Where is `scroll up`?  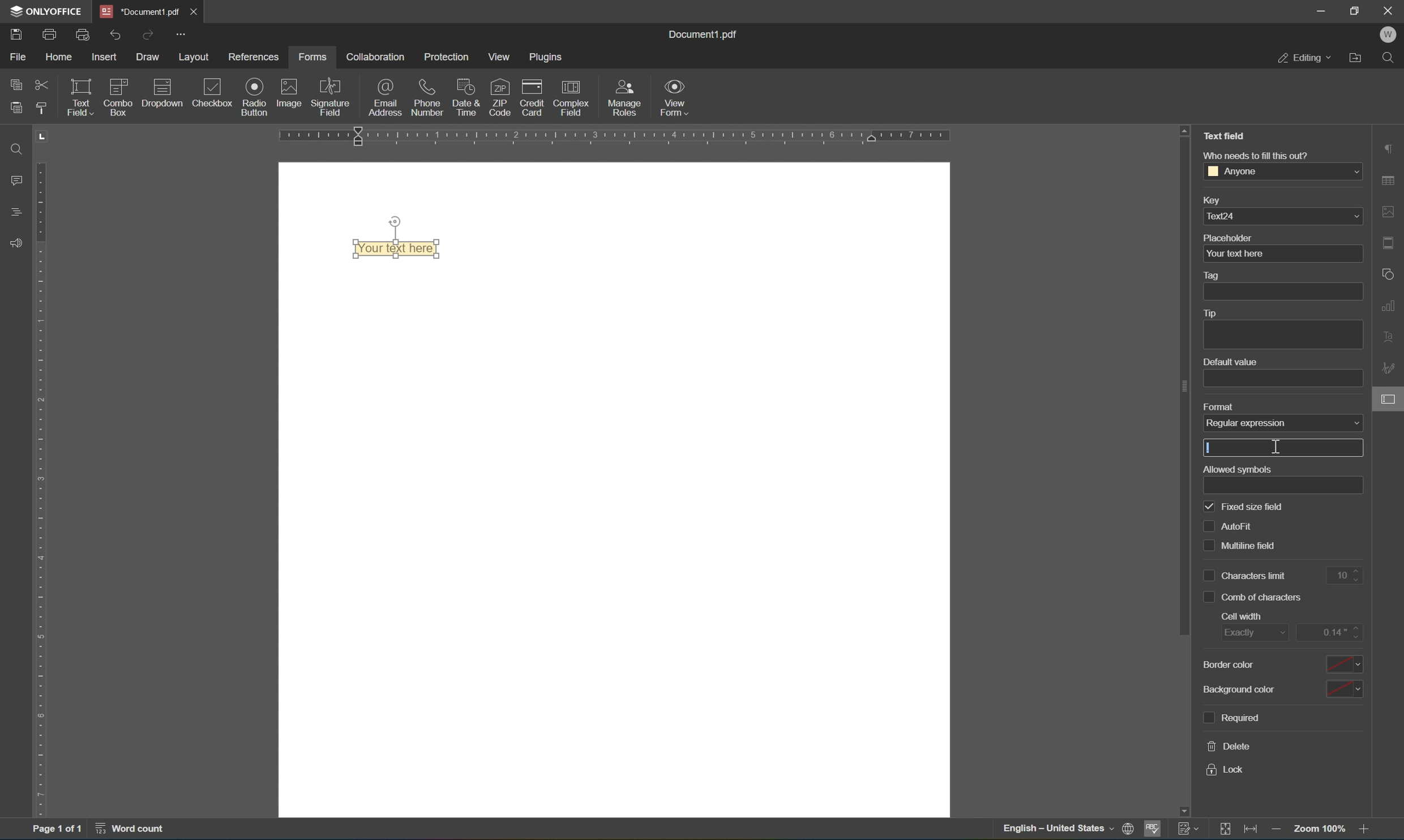 scroll up is located at coordinates (1184, 129).